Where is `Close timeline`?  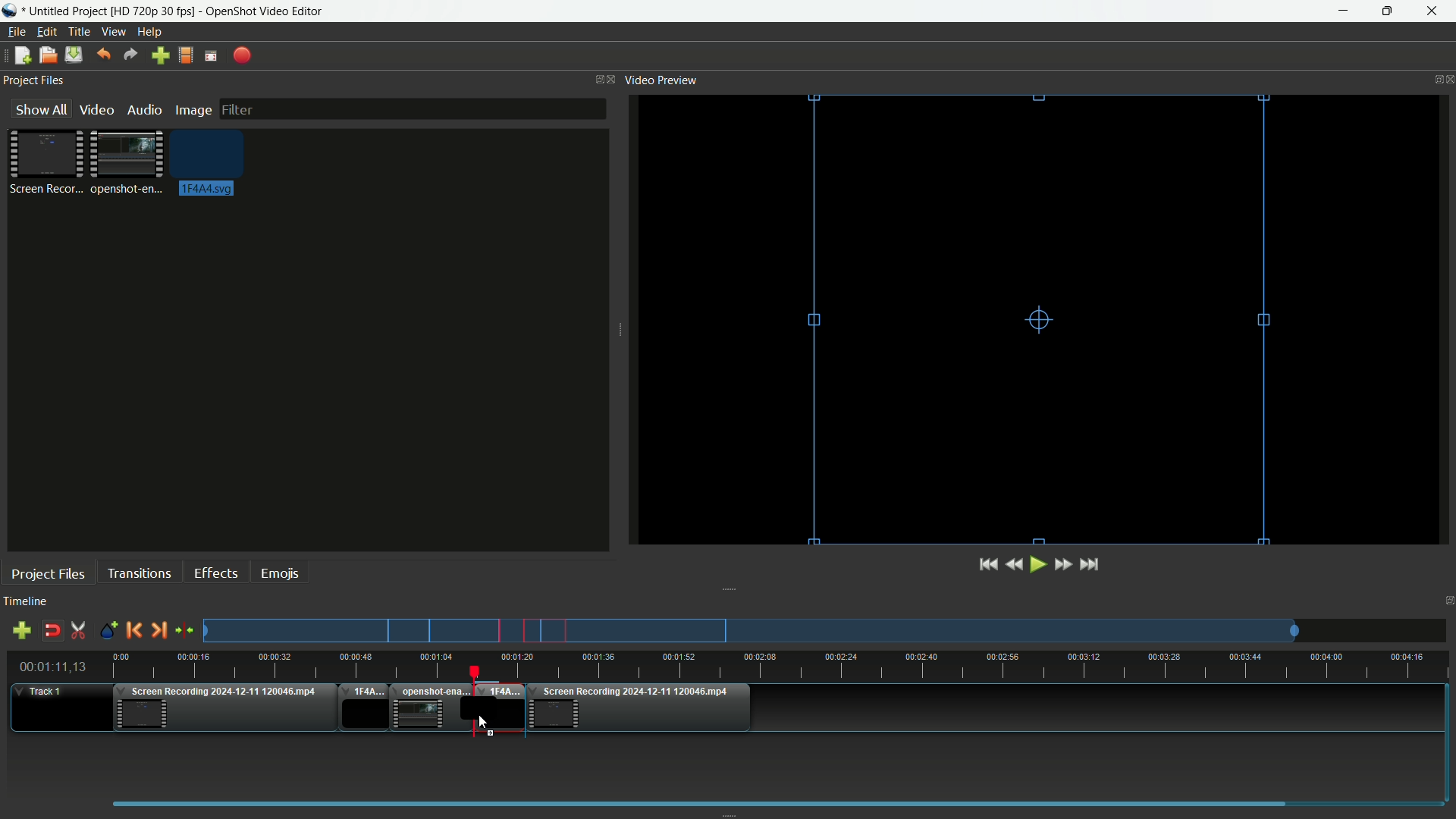
Close timeline is located at coordinates (1447, 603).